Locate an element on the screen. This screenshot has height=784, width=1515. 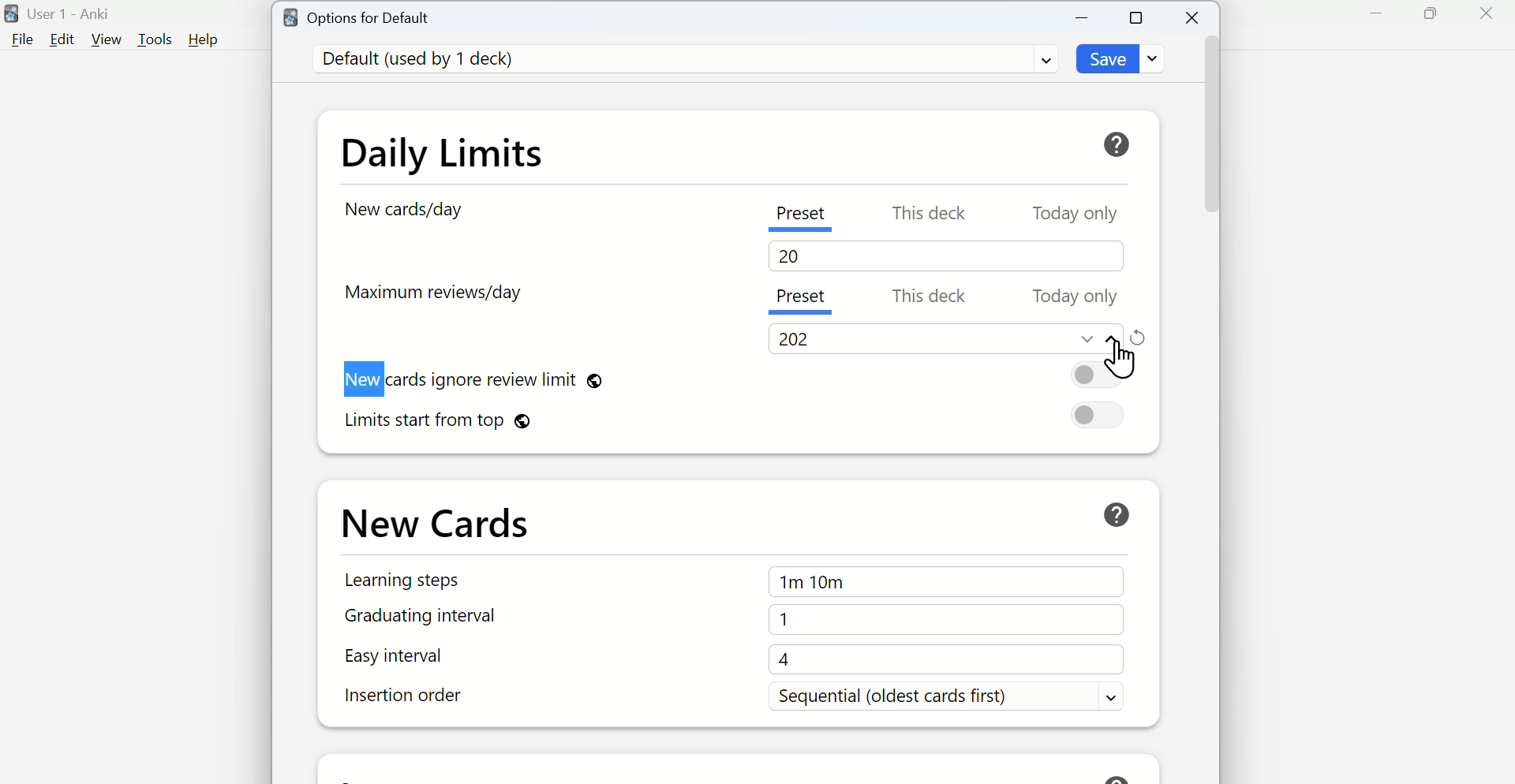
Refresh is located at coordinates (1139, 338).